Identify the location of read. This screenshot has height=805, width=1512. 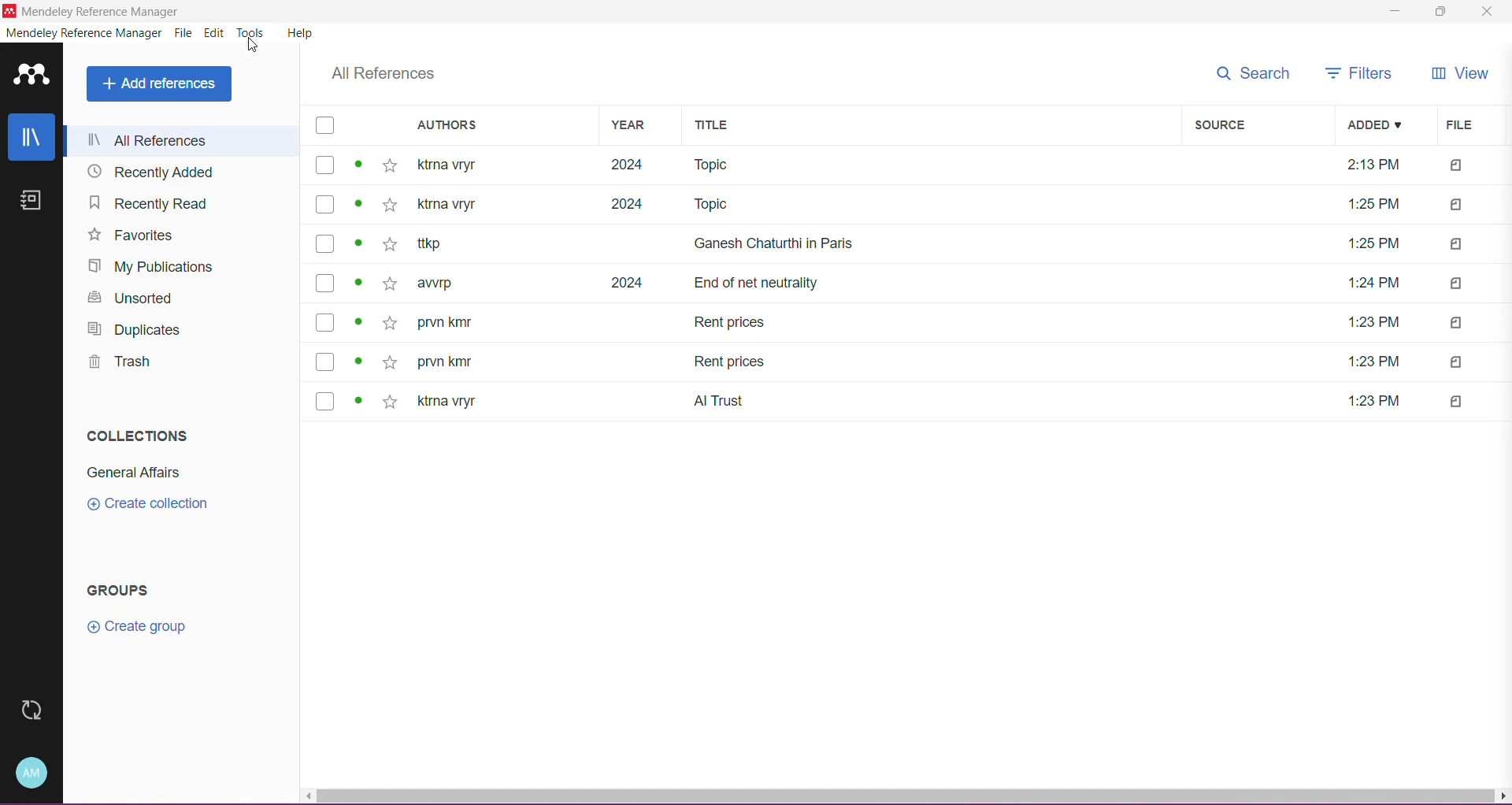
(358, 321).